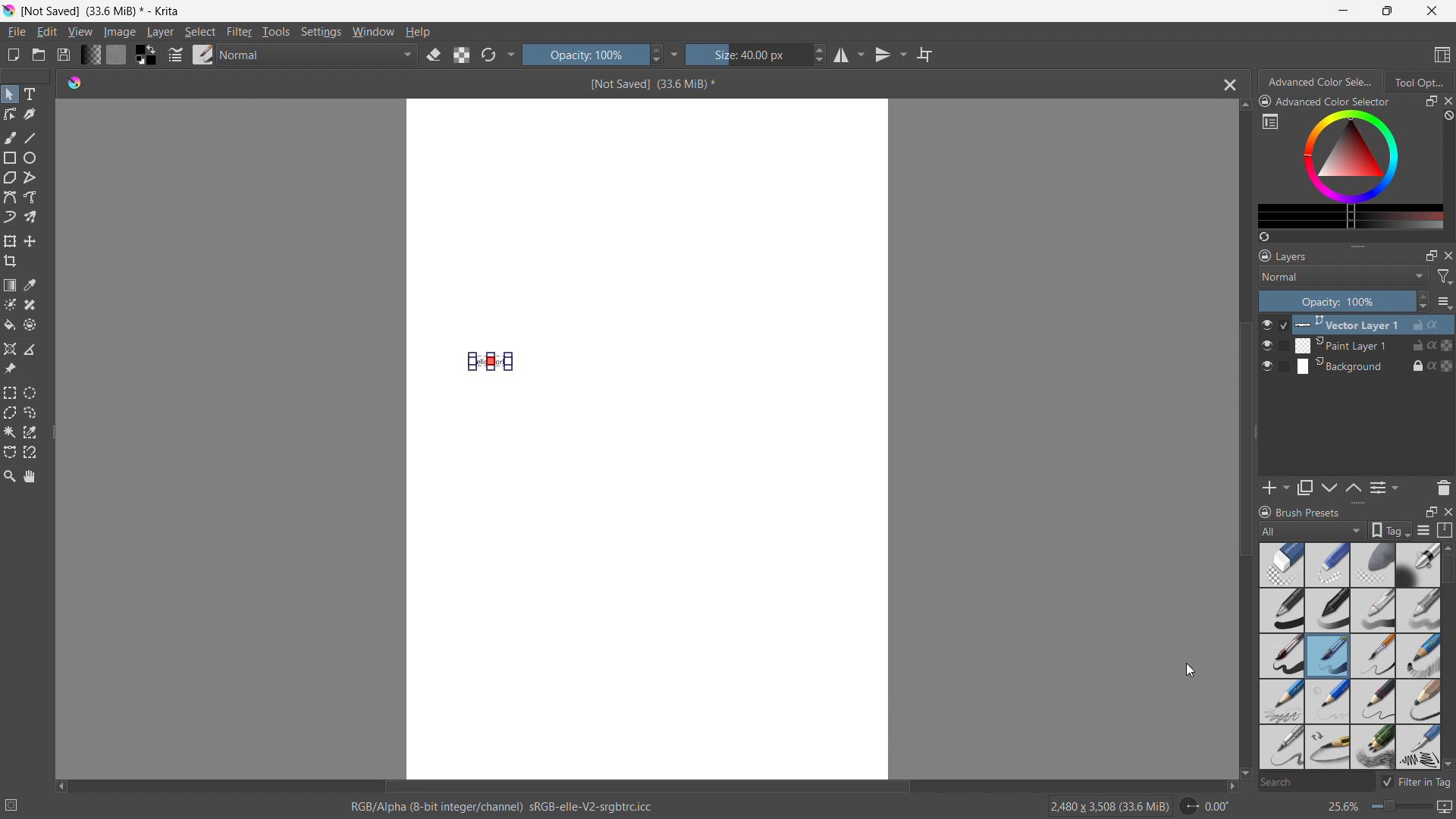 The height and width of the screenshot is (819, 1456). Describe the element at coordinates (1447, 255) in the screenshot. I see `close` at that location.